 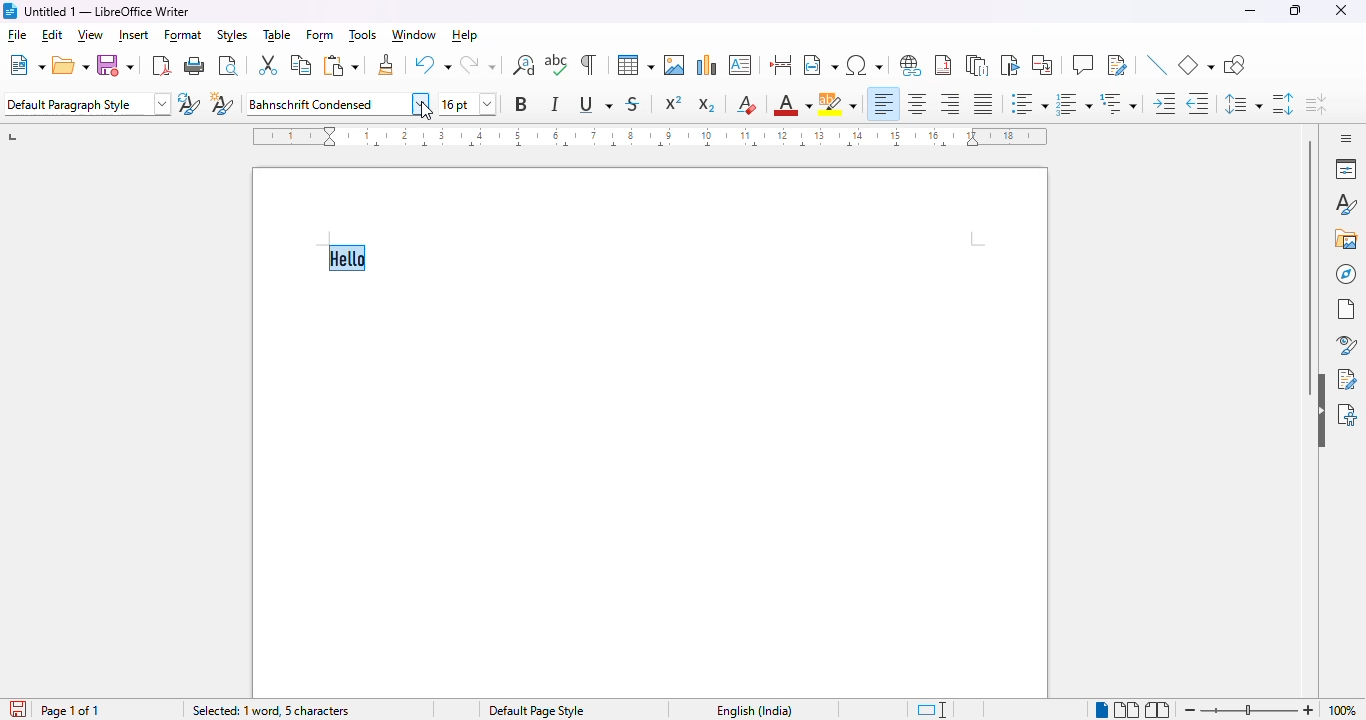 I want to click on font color, so click(x=793, y=104).